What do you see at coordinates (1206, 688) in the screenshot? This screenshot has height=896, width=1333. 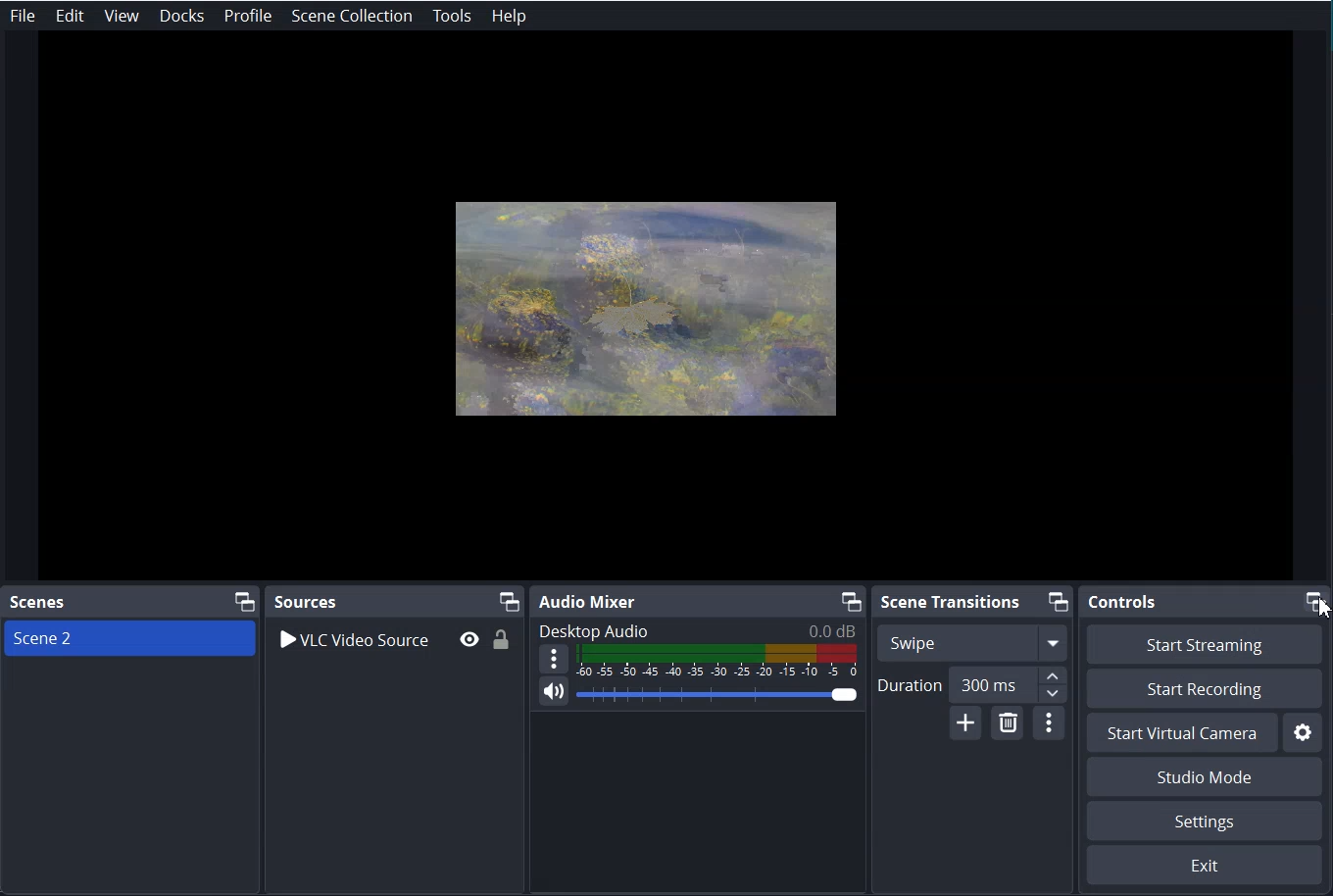 I see `Start Recording` at bounding box center [1206, 688].